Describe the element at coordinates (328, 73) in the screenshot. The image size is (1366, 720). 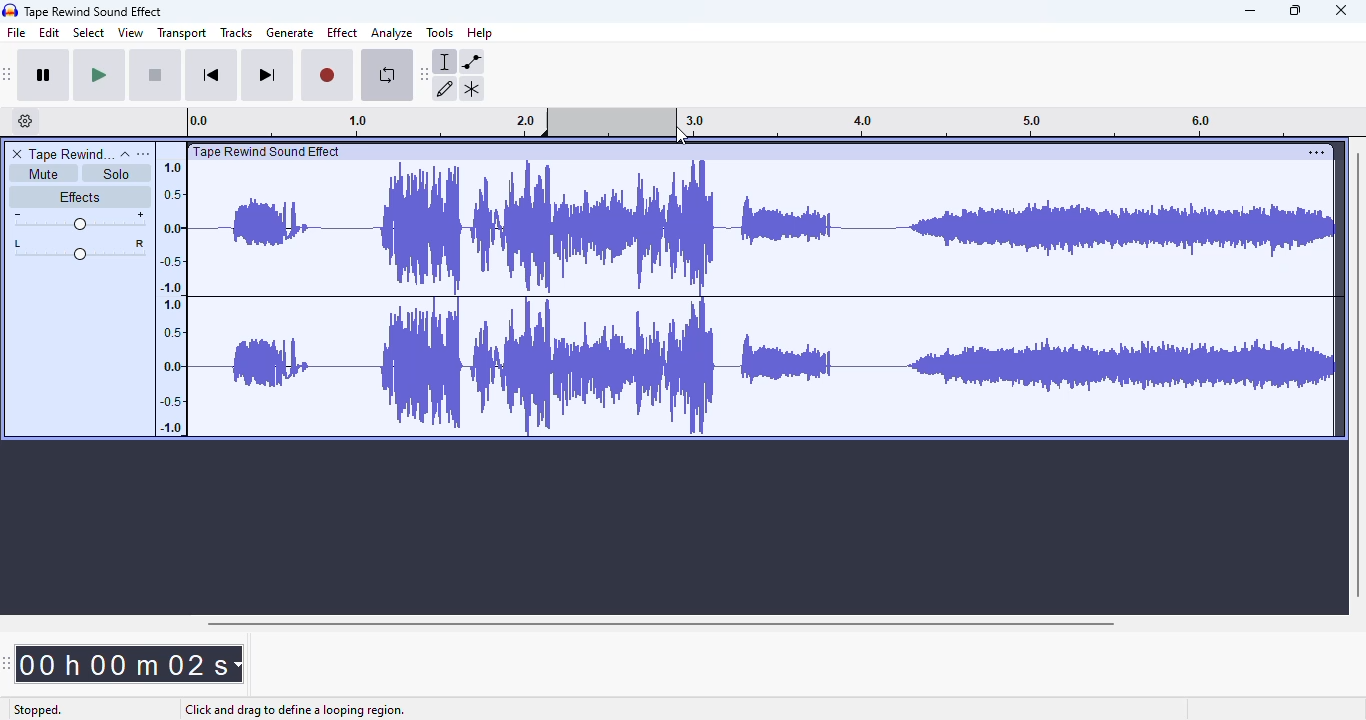
I see `record` at that location.